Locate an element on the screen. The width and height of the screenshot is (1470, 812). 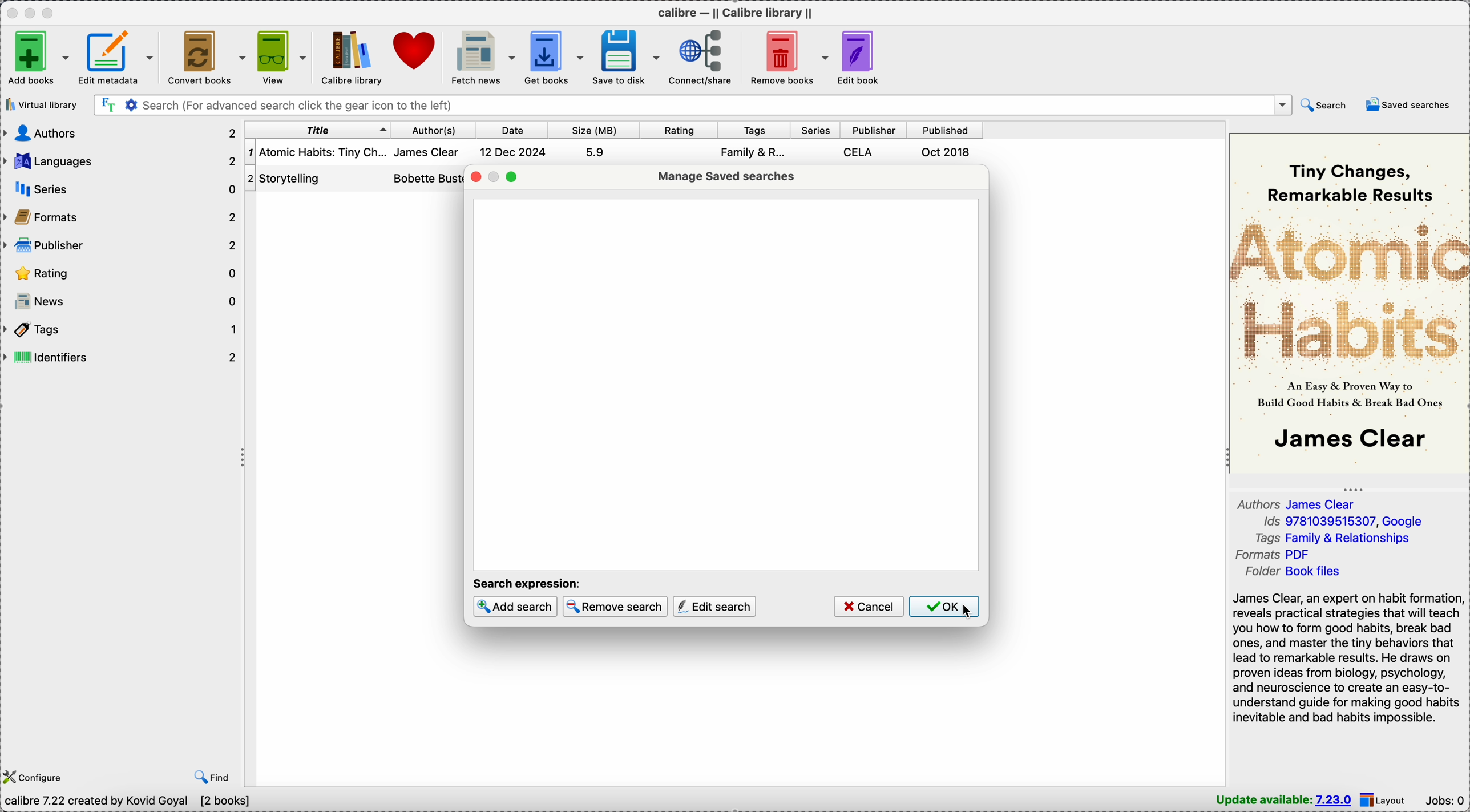
update available is located at coordinates (1285, 800).